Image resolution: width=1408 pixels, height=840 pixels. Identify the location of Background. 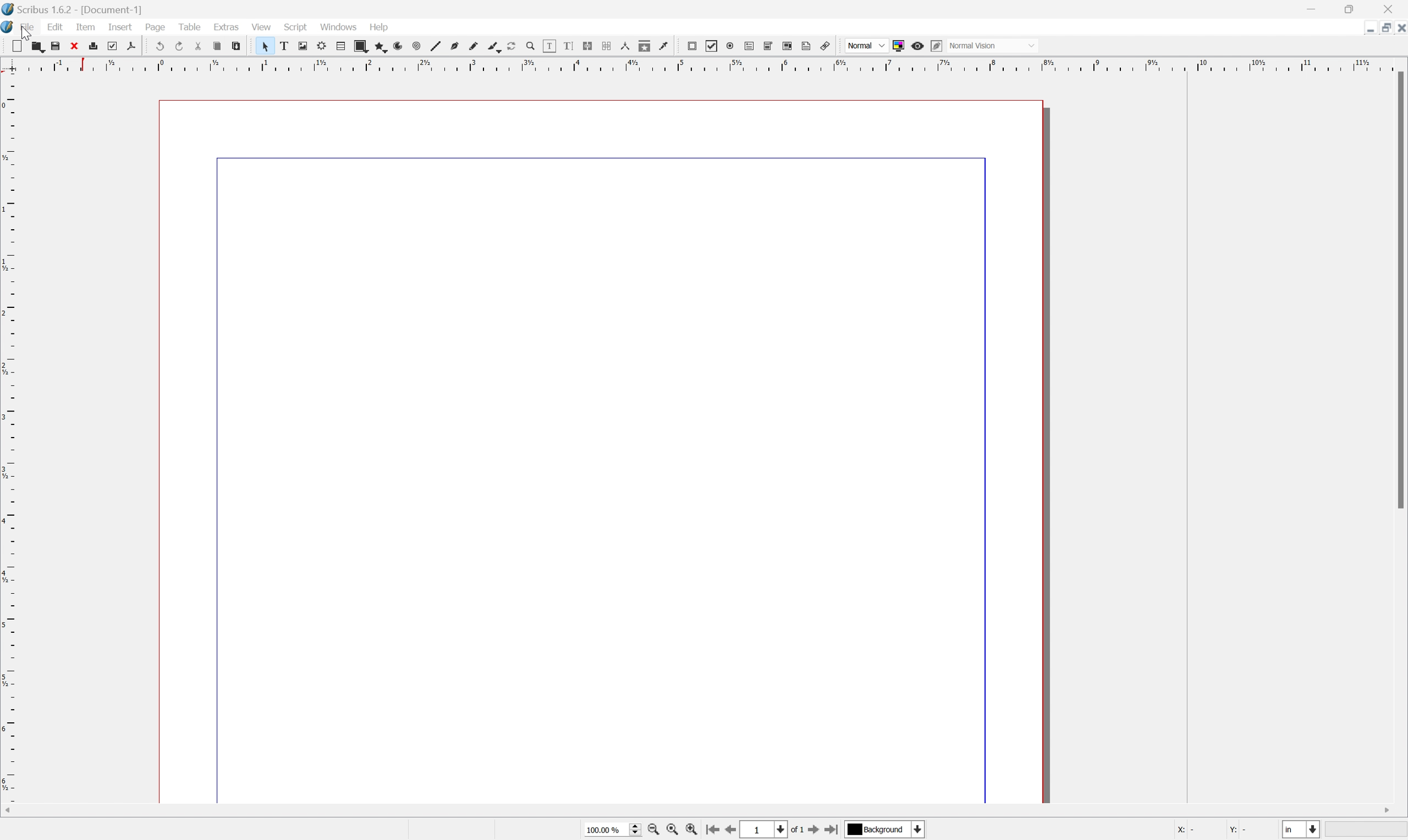
(885, 830).